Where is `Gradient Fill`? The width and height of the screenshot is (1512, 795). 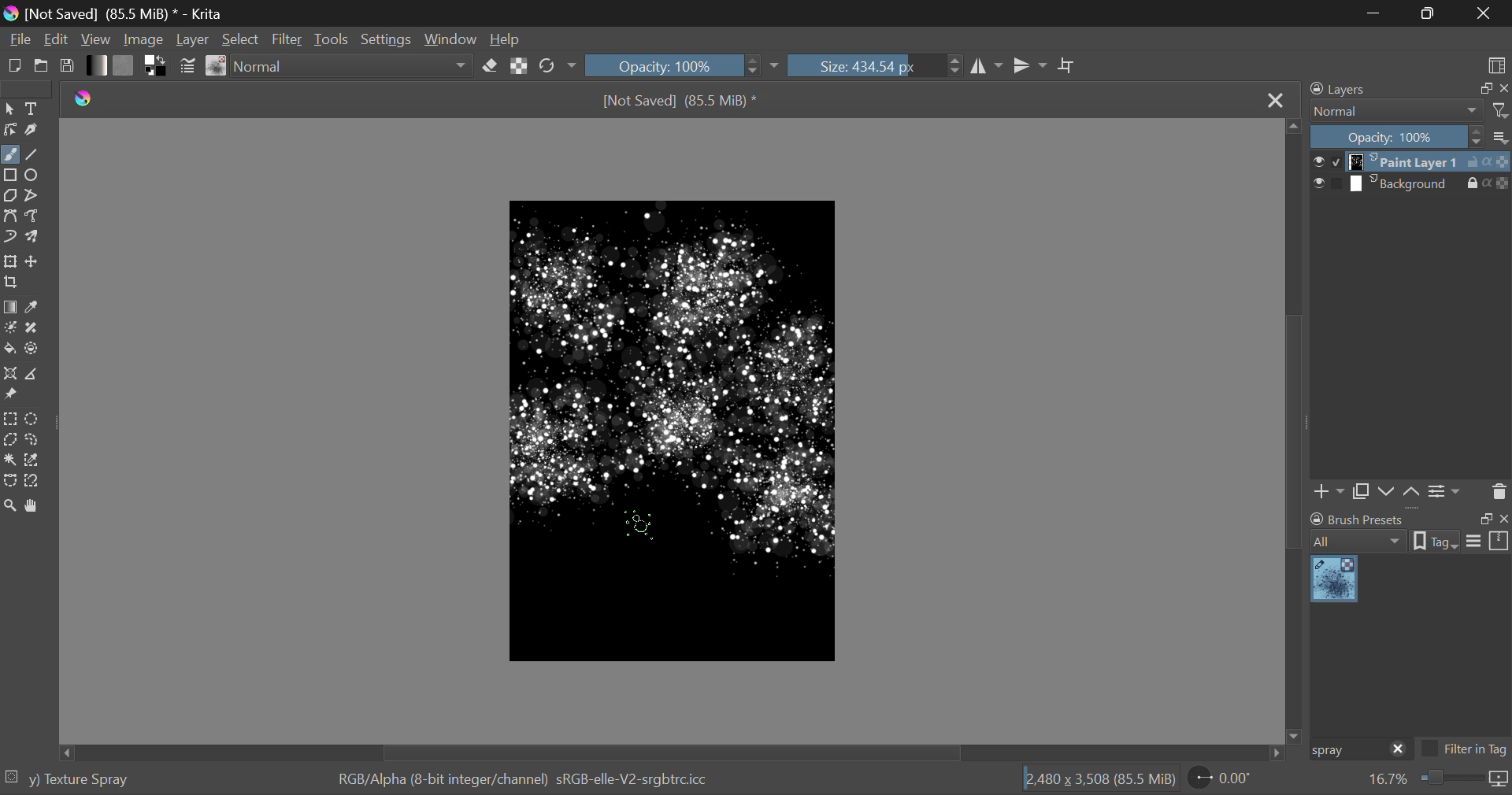
Gradient Fill is located at coordinates (11, 308).